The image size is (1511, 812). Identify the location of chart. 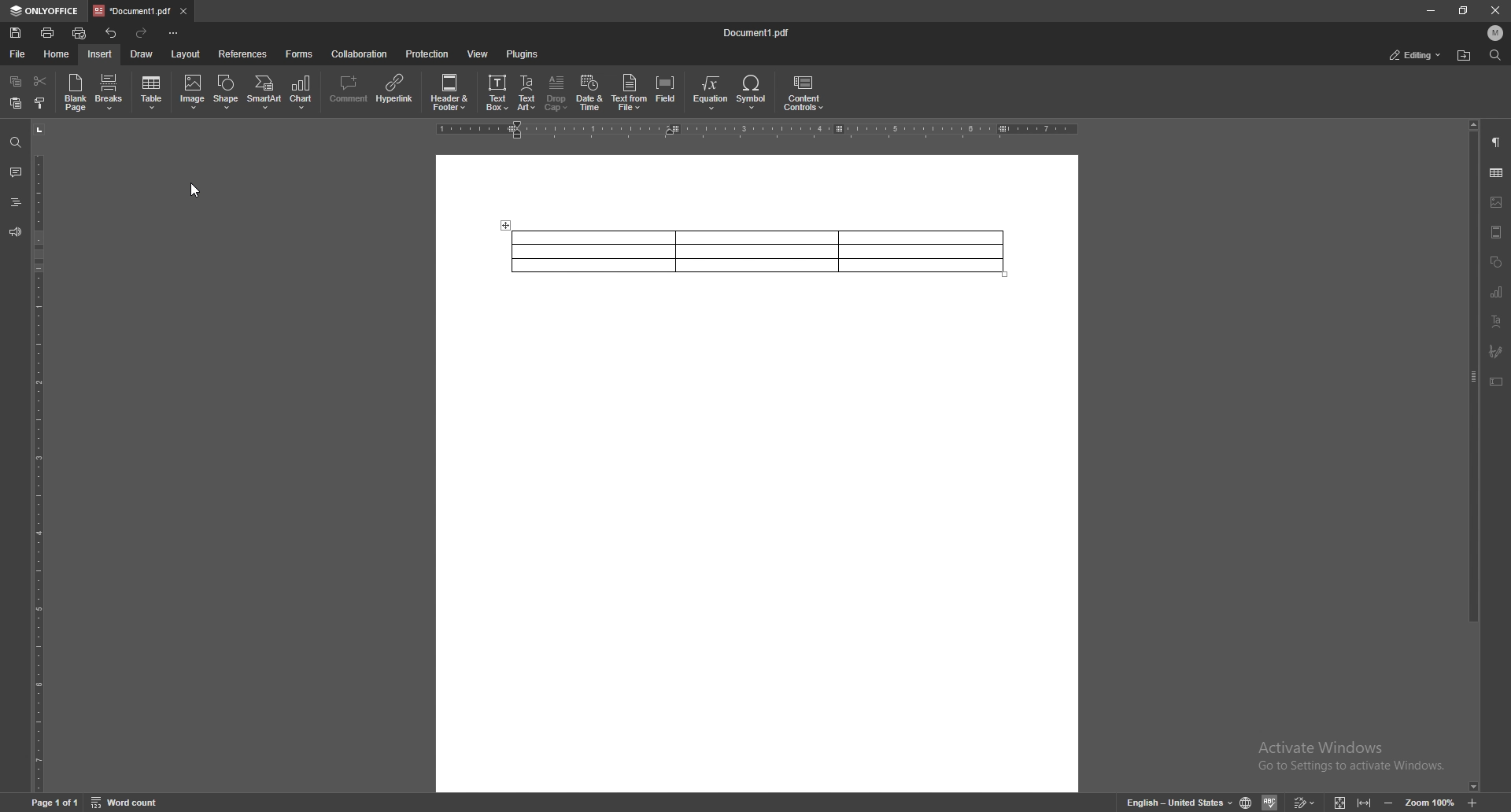
(304, 93).